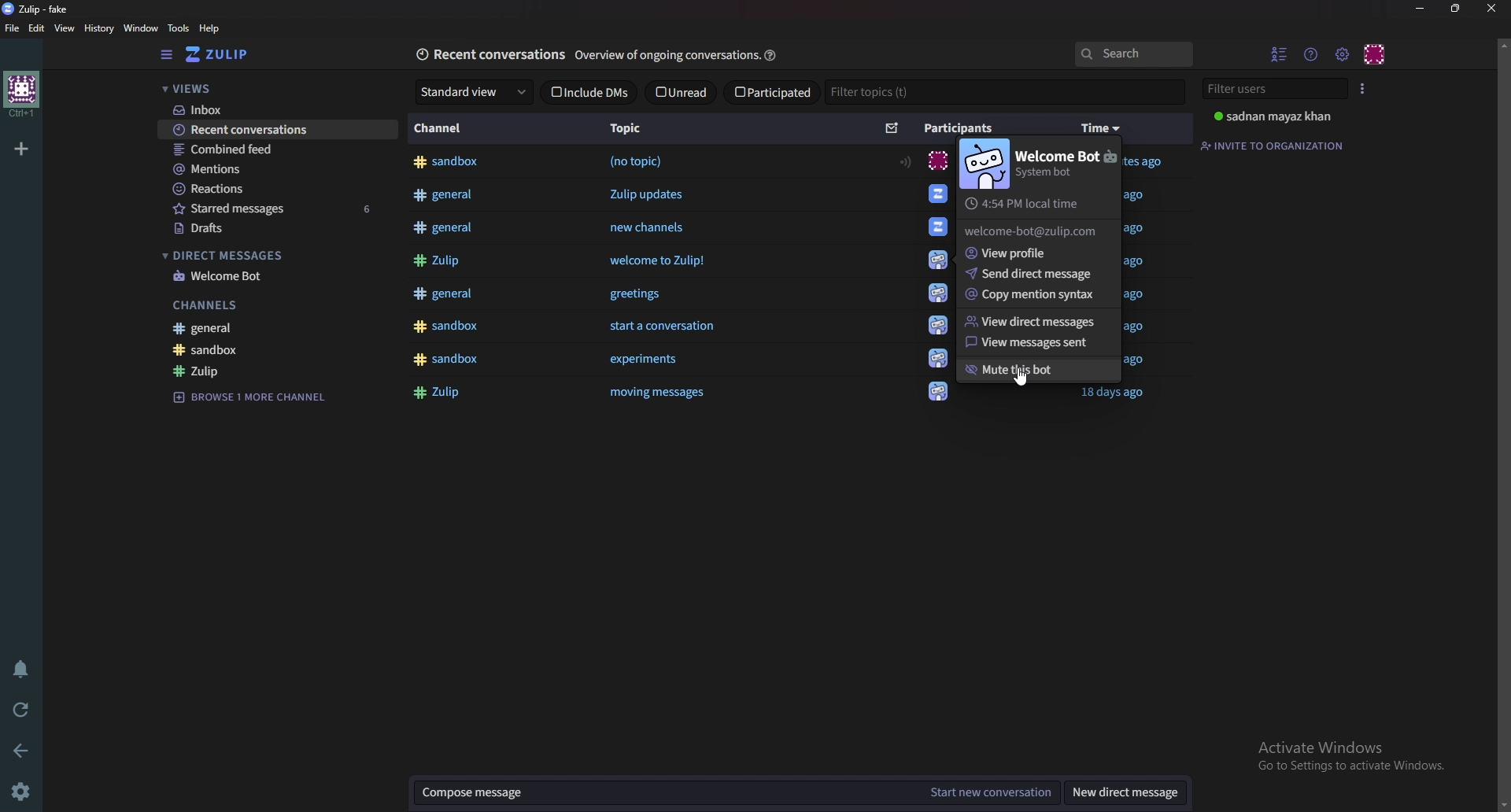 This screenshot has height=812, width=1511. I want to click on icon, so click(941, 361).